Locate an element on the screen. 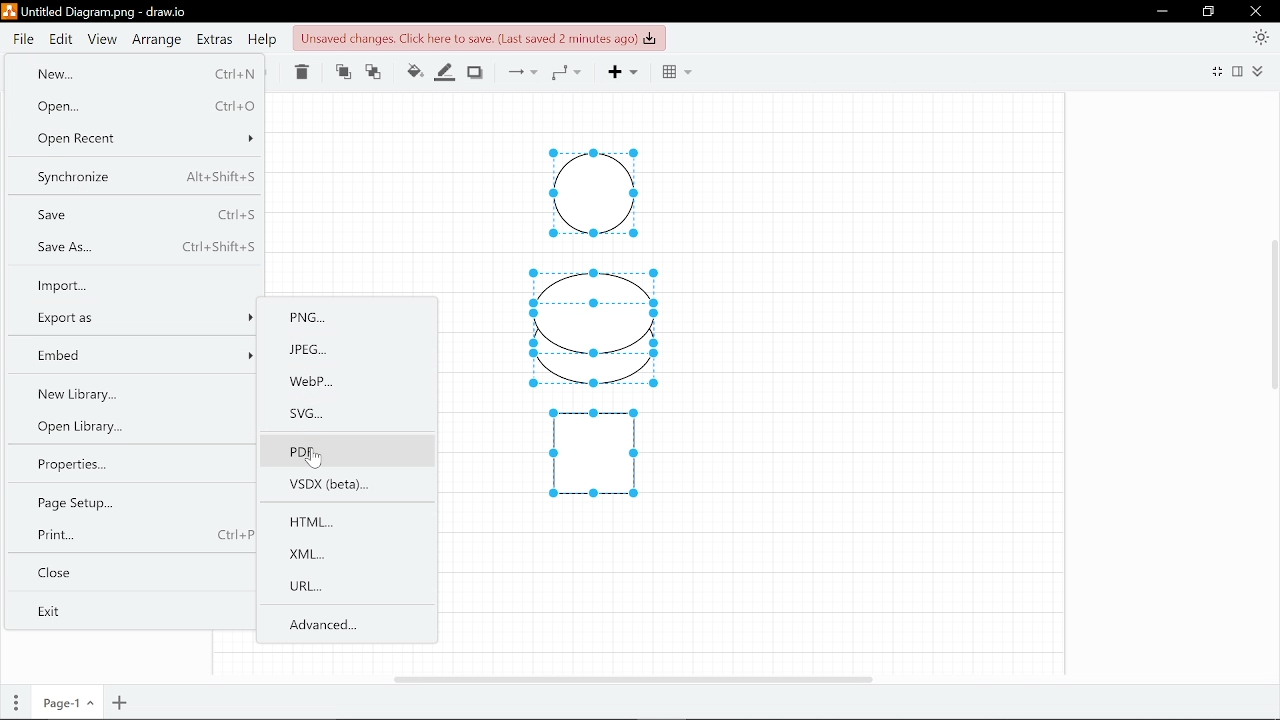 The image size is (1280, 720). Collapse is located at coordinates (1257, 71).